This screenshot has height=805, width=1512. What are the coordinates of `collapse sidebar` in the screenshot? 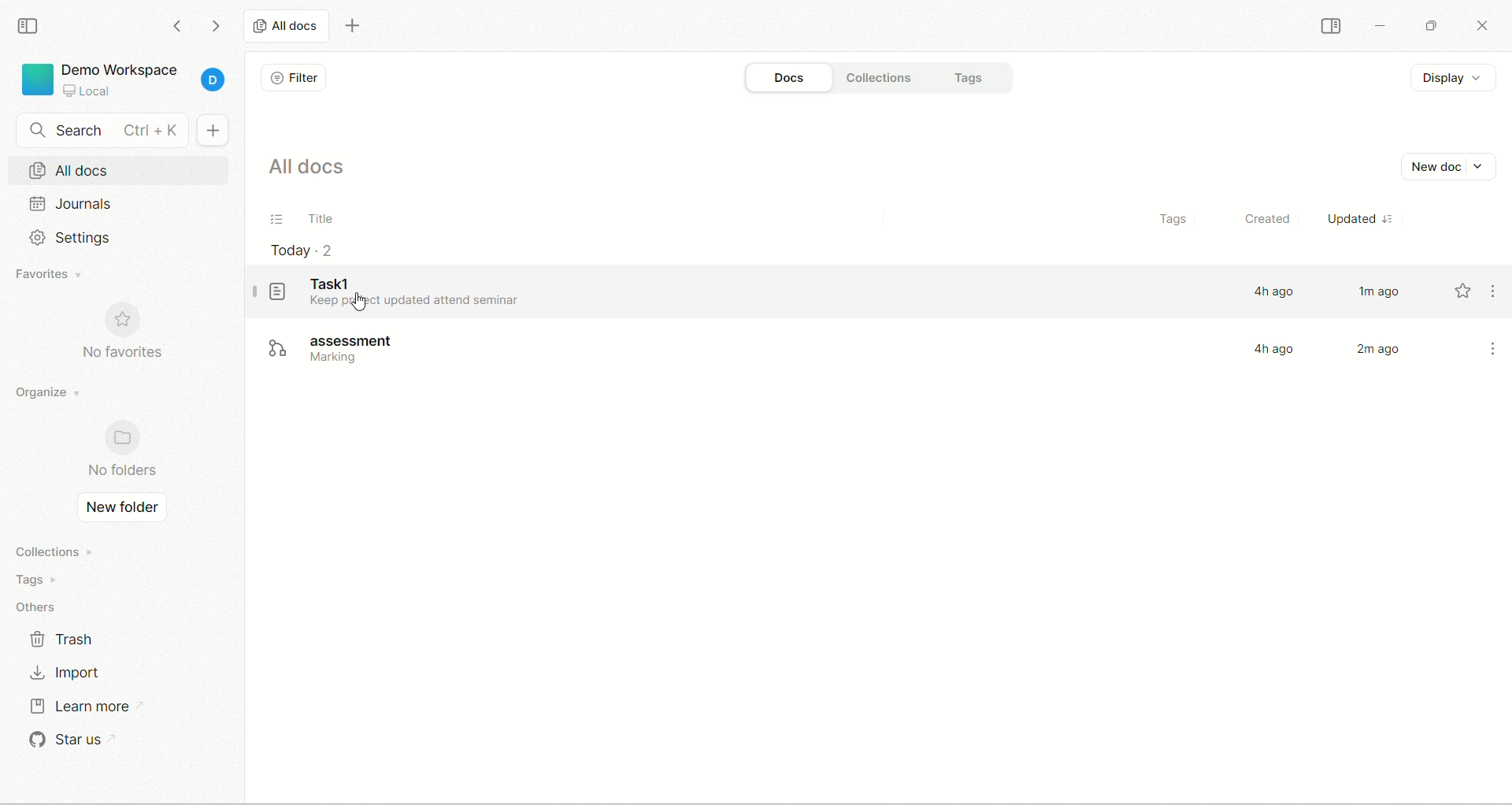 It's located at (31, 26).